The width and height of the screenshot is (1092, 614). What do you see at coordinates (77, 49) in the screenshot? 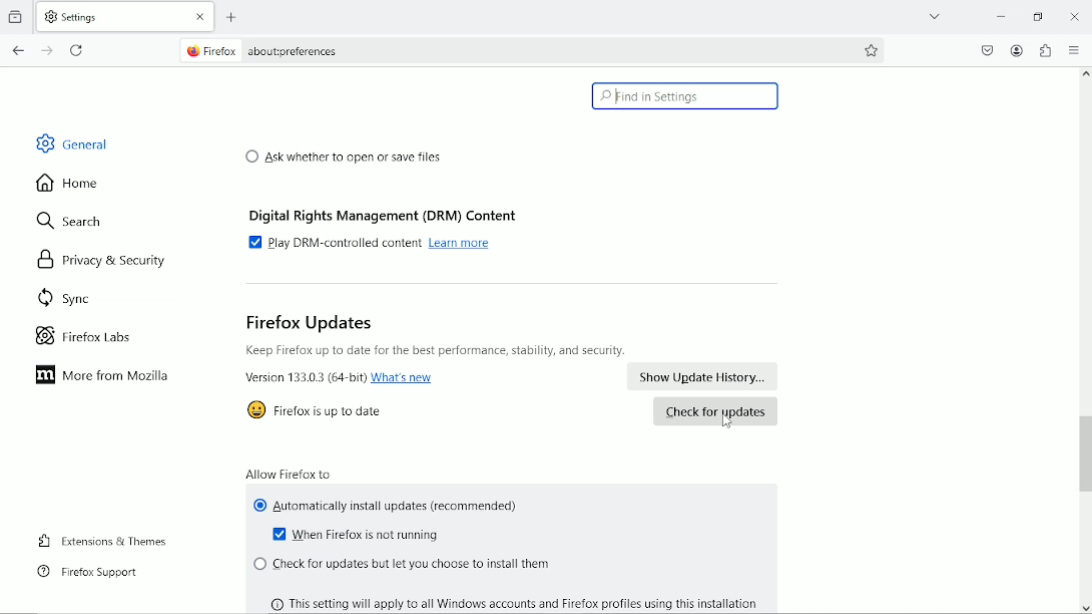
I see `reload current page` at bounding box center [77, 49].